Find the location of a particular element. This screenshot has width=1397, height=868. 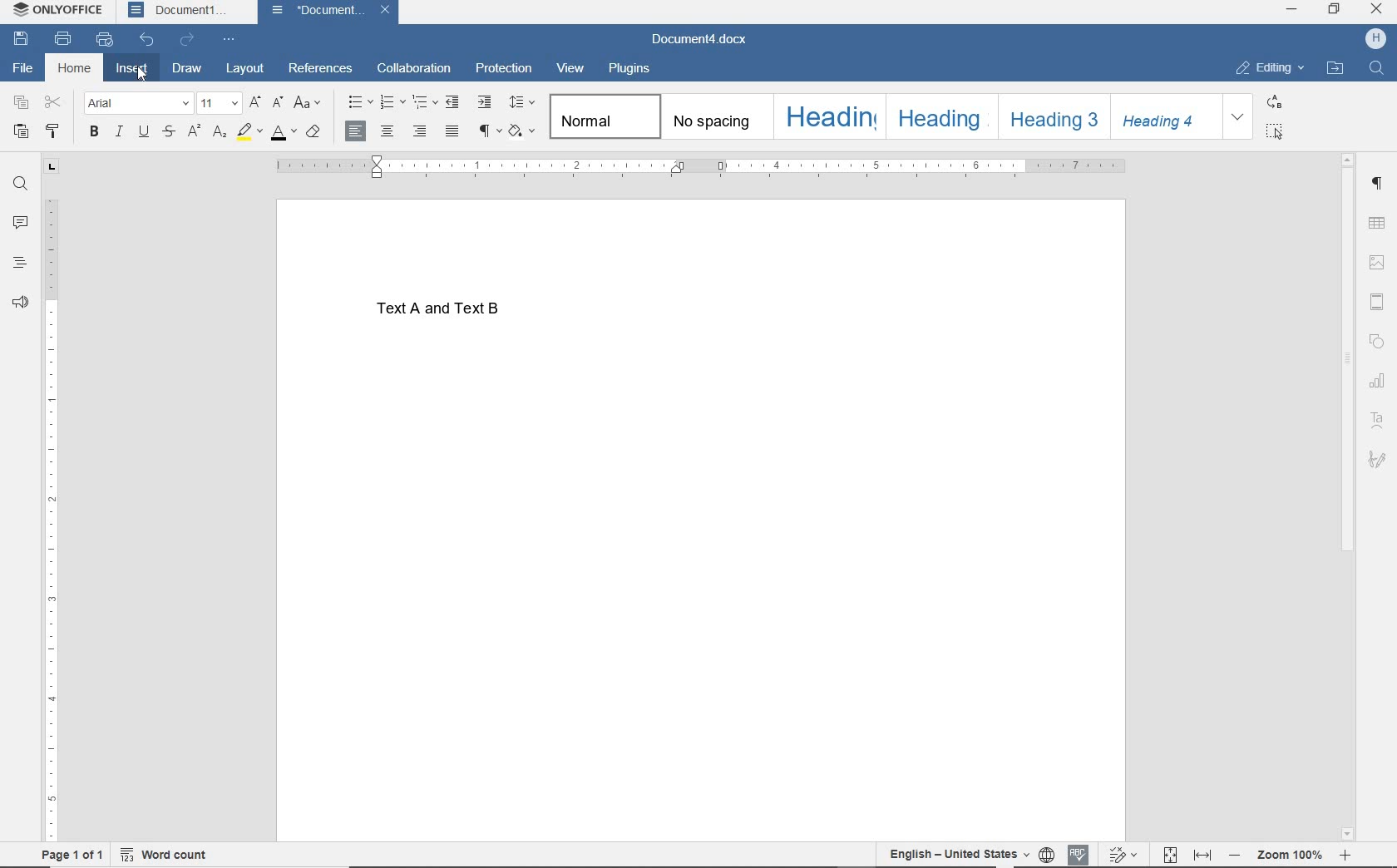

PROTECTION is located at coordinates (503, 68).